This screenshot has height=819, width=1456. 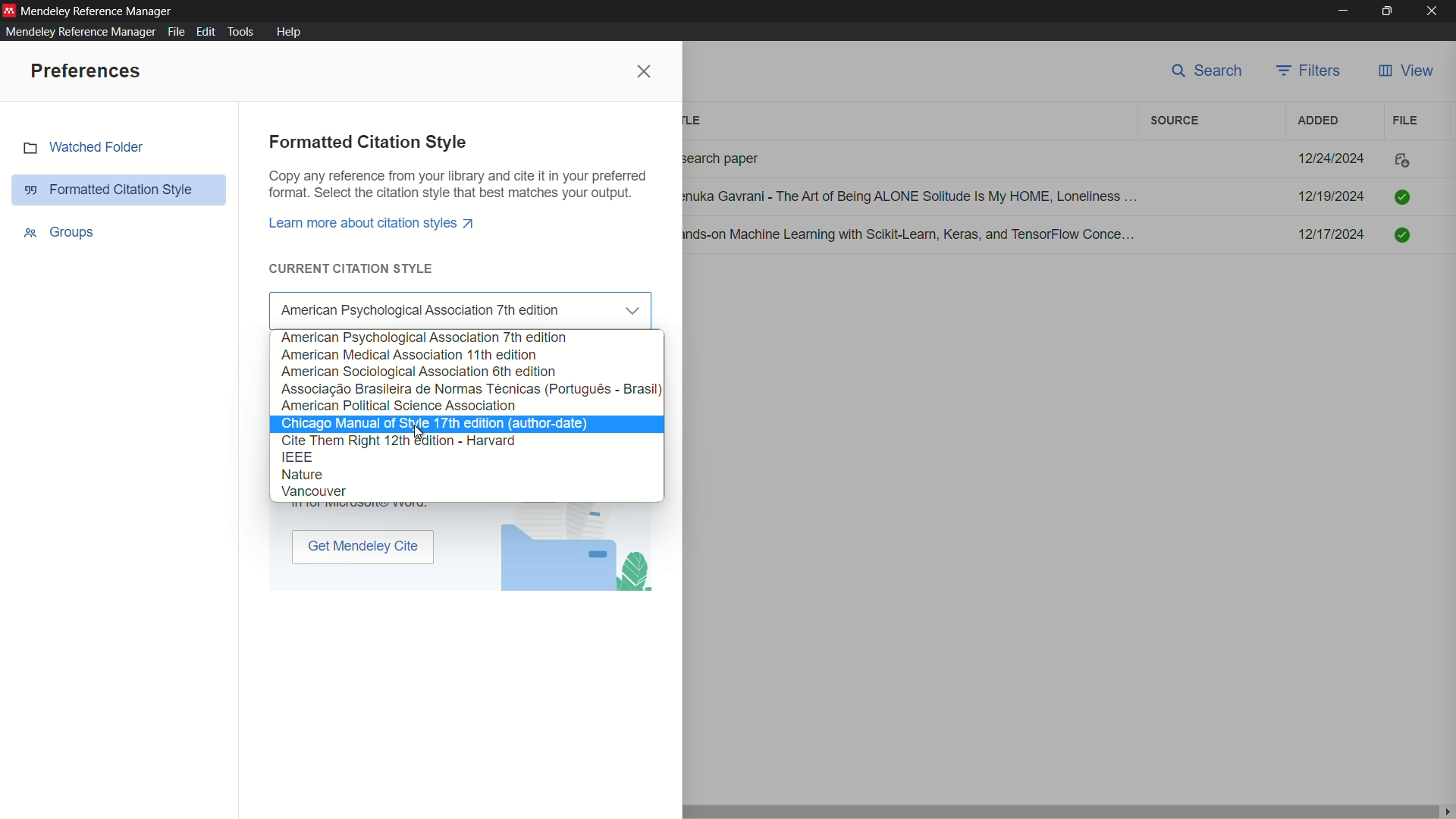 I want to click on citation styles, so click(x=471, y=387).